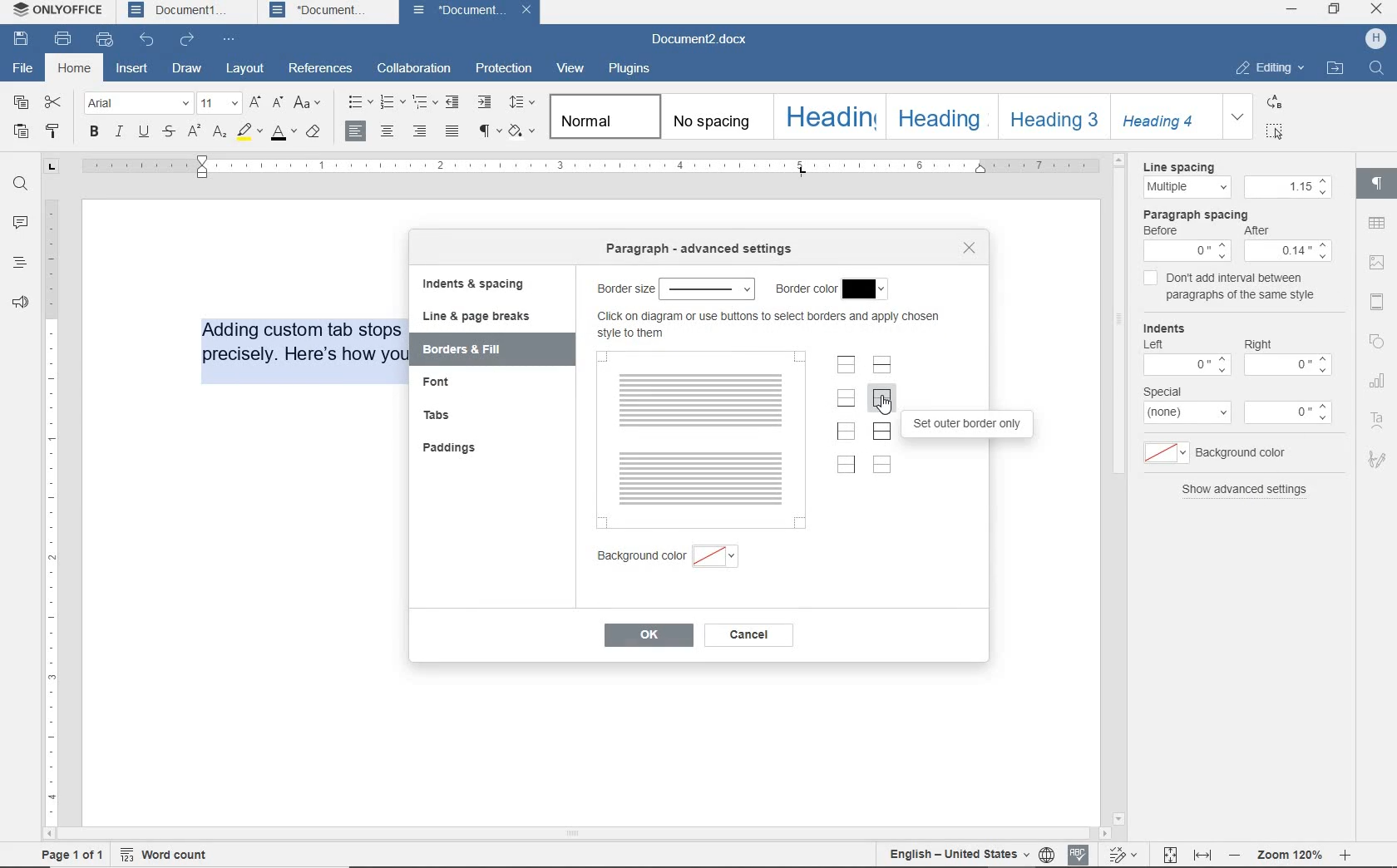 The image size is (1397, 868). What do you see at coordinates (1189, 250) in the screenshot?
I see `` at bounding box center [1189, 250].